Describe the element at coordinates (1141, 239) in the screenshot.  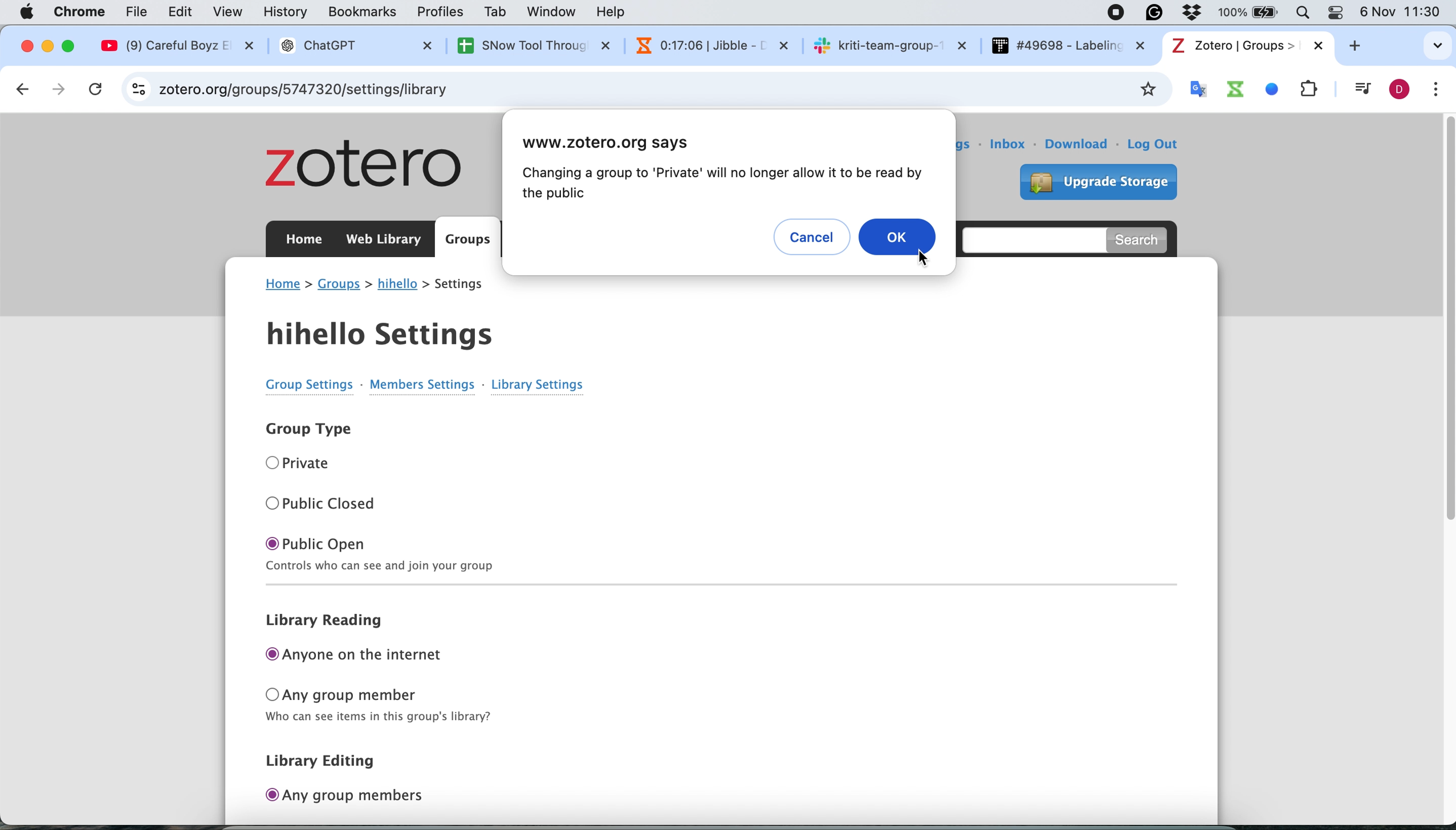
I see `search` at that location.